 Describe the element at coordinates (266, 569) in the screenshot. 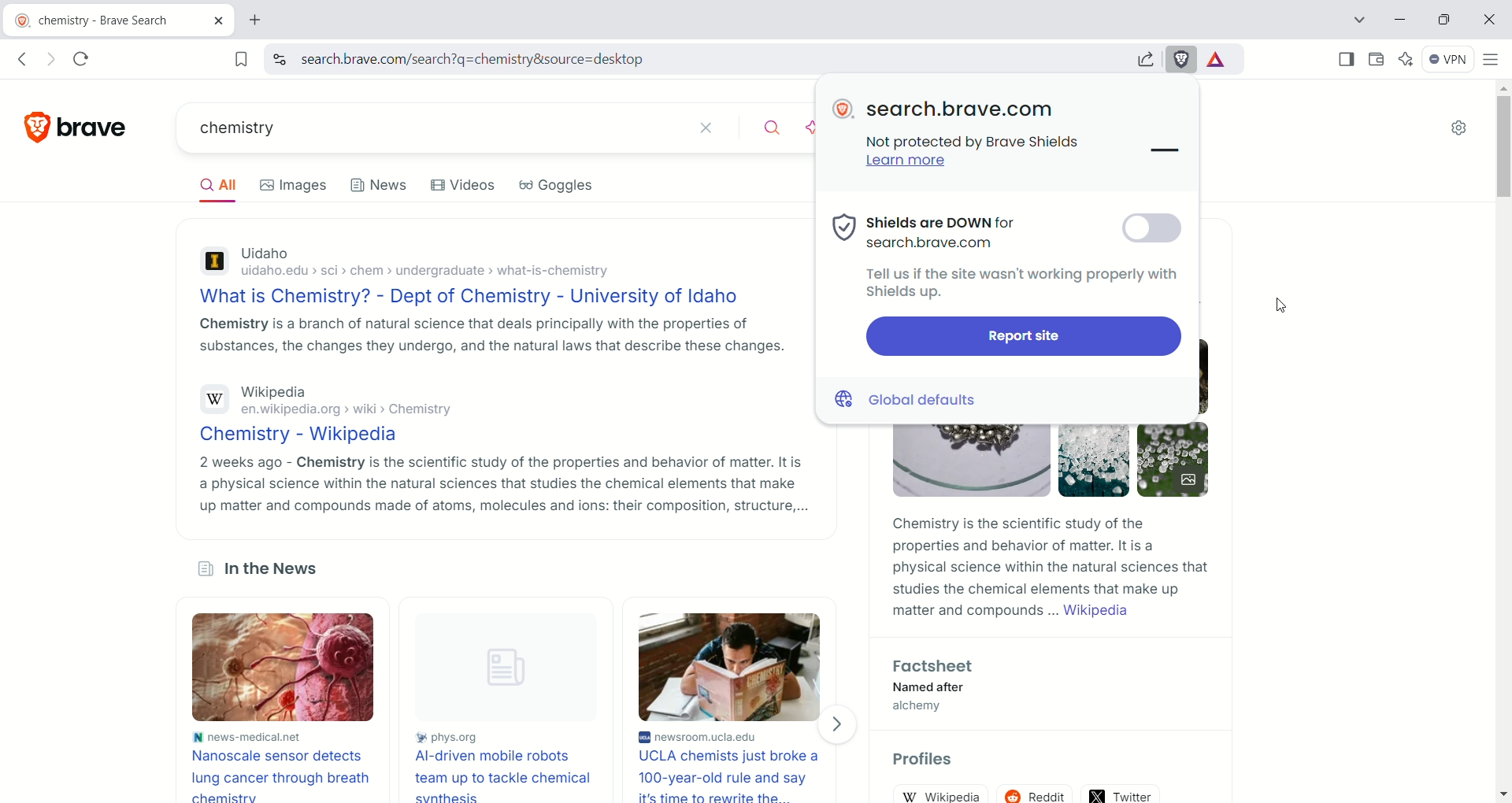

I see `In the news` at that location.